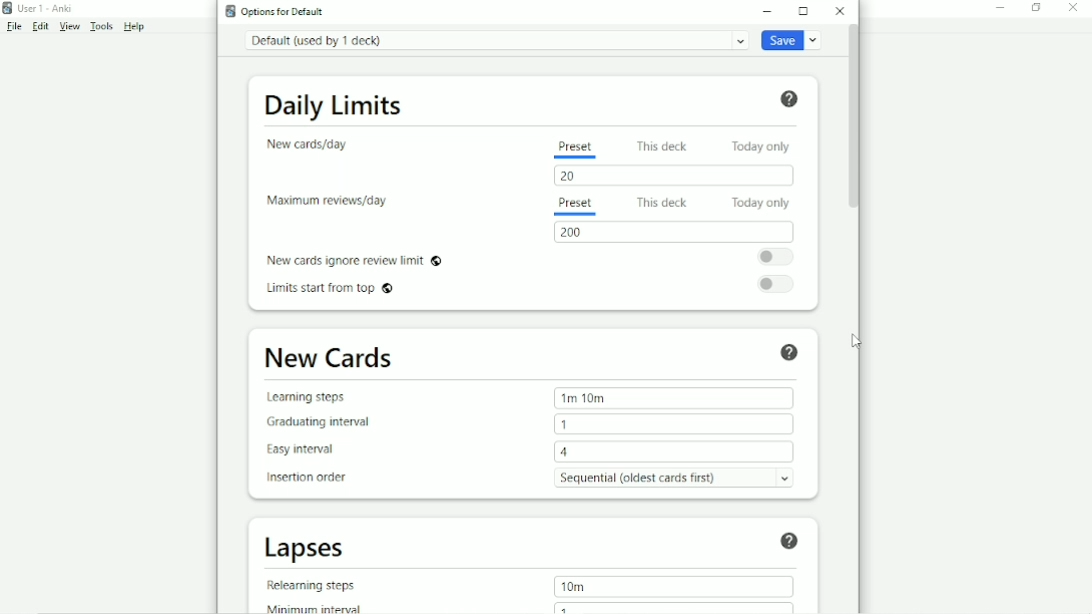  I want to click on 1m 10m, so click(673, 398).